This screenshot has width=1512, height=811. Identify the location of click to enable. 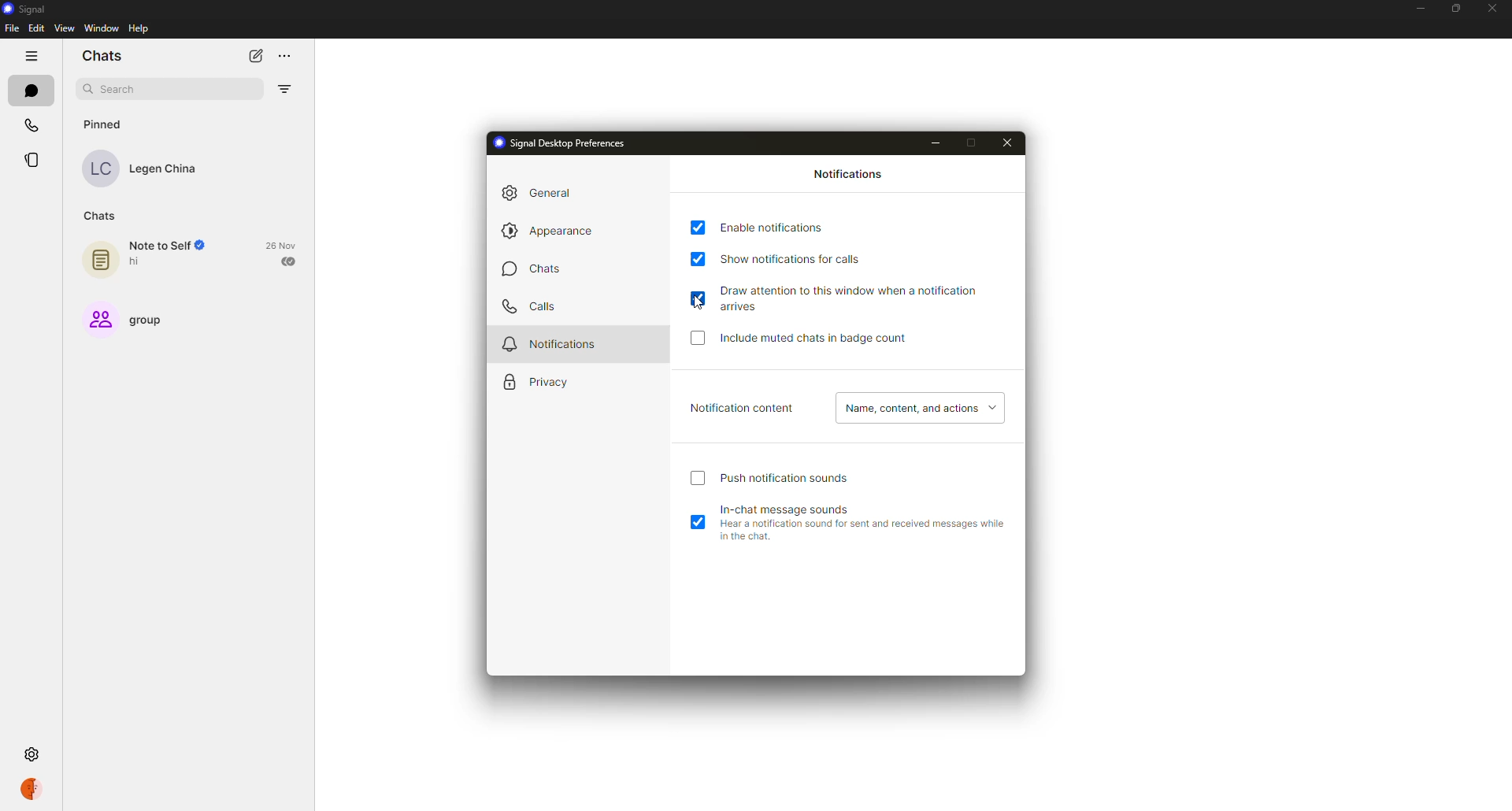
(697, 480).